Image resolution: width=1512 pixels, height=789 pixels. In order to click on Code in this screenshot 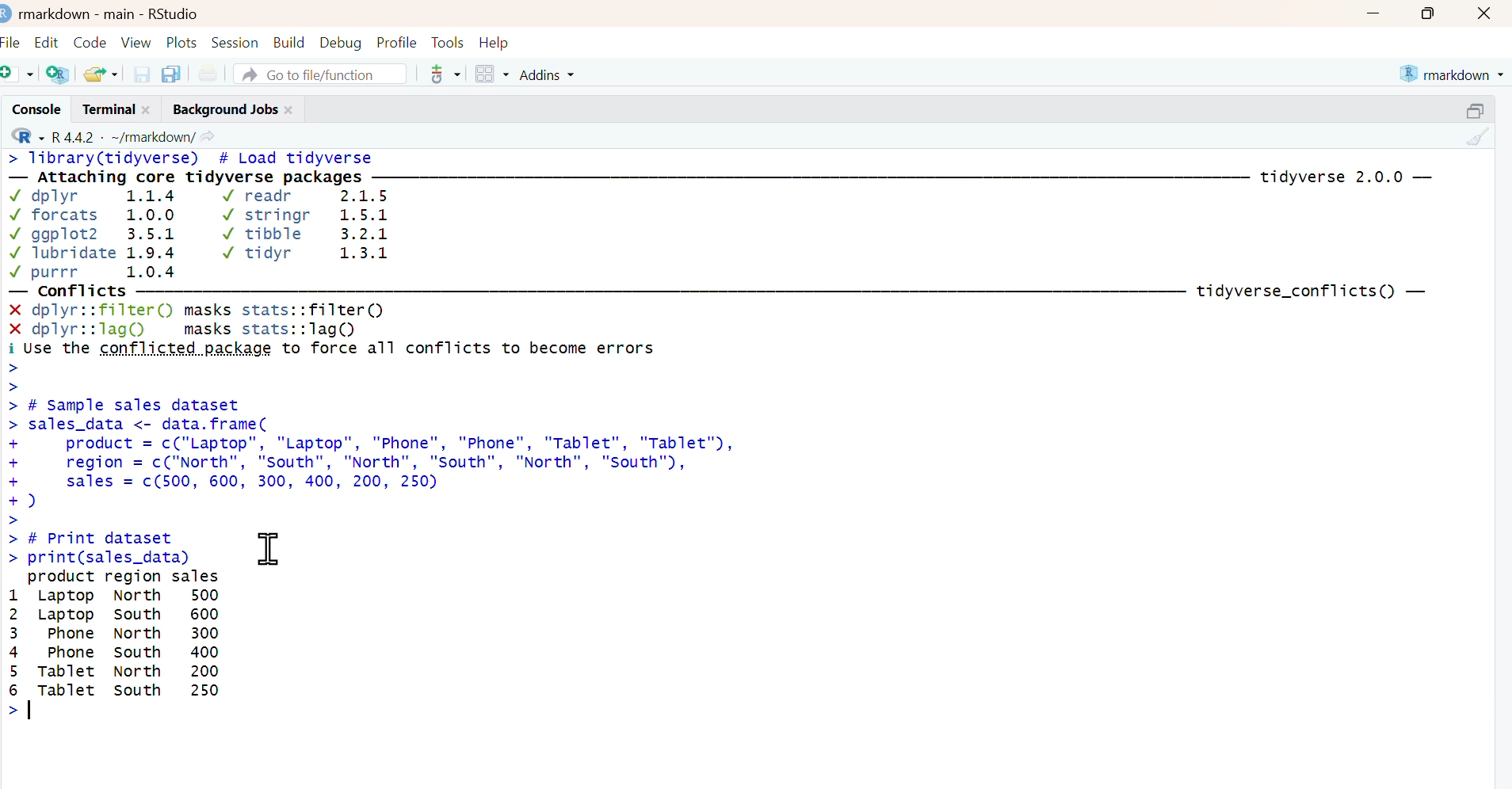, I will do `click(90, 38)`.